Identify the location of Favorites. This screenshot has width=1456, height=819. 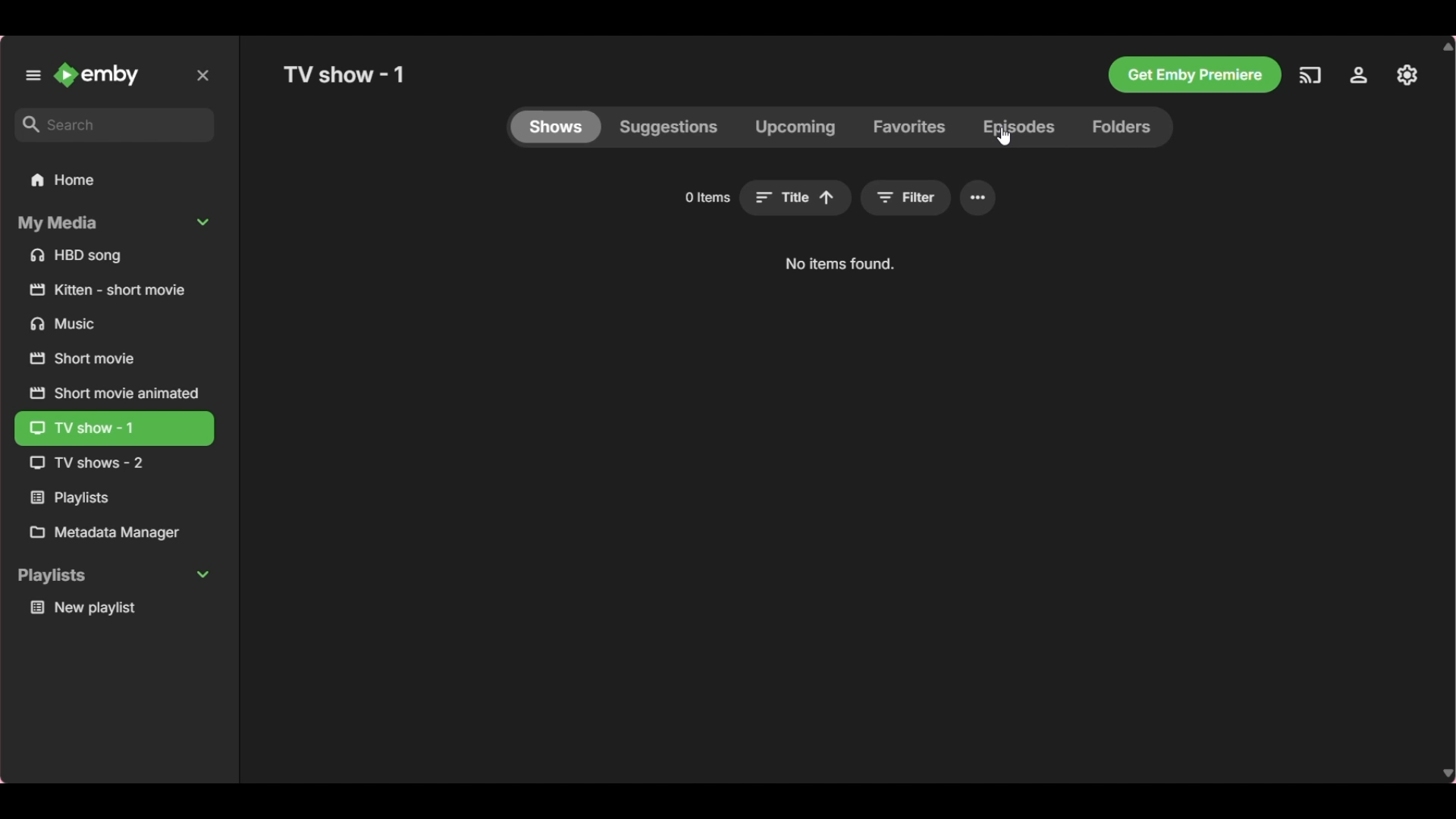
(909, 127).